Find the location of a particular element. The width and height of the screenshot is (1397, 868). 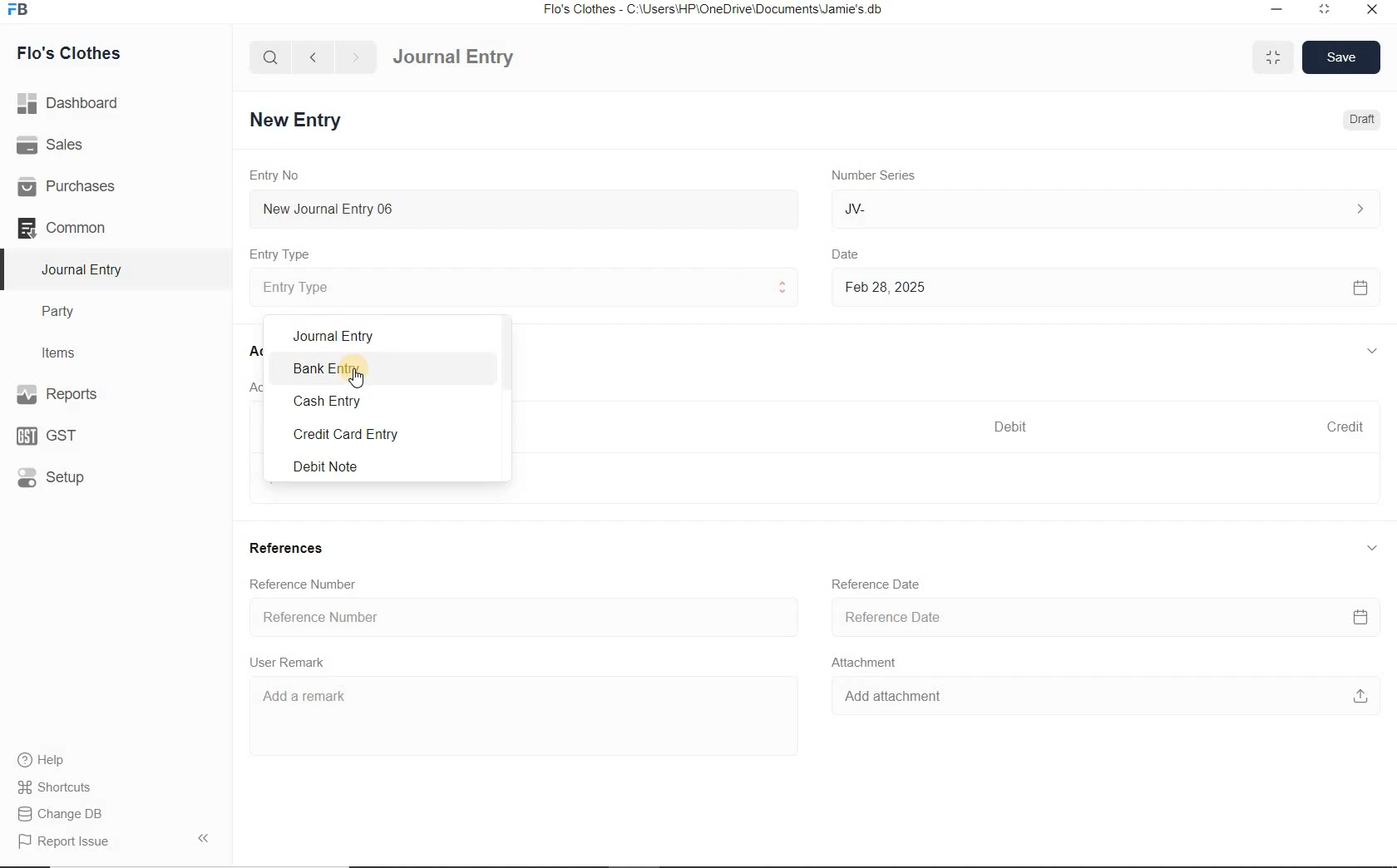

New Journal Entry 06 is located at coordinates (524, 207).